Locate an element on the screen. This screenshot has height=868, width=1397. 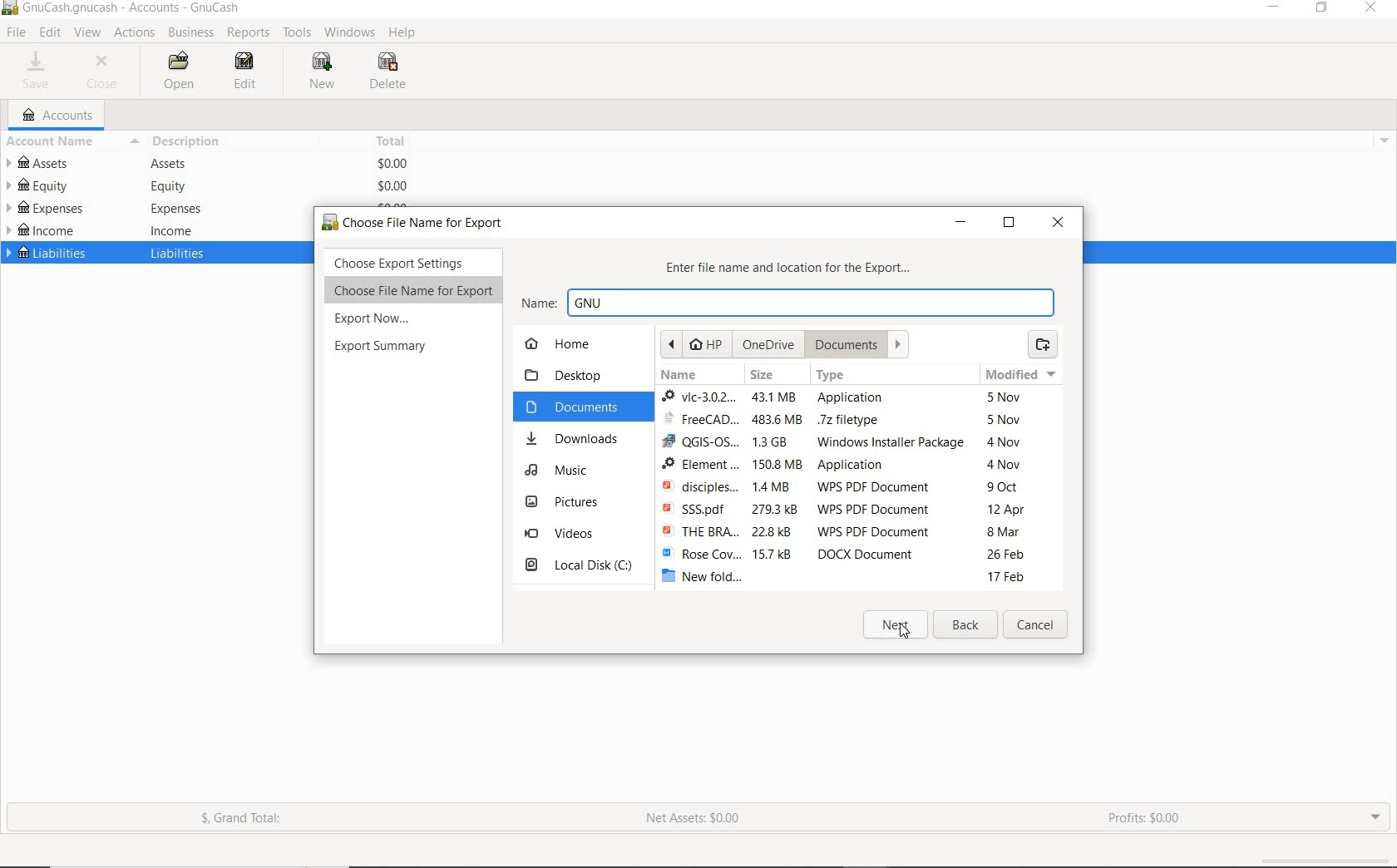
DESCRIPTION is located at coordinates (182, 142).